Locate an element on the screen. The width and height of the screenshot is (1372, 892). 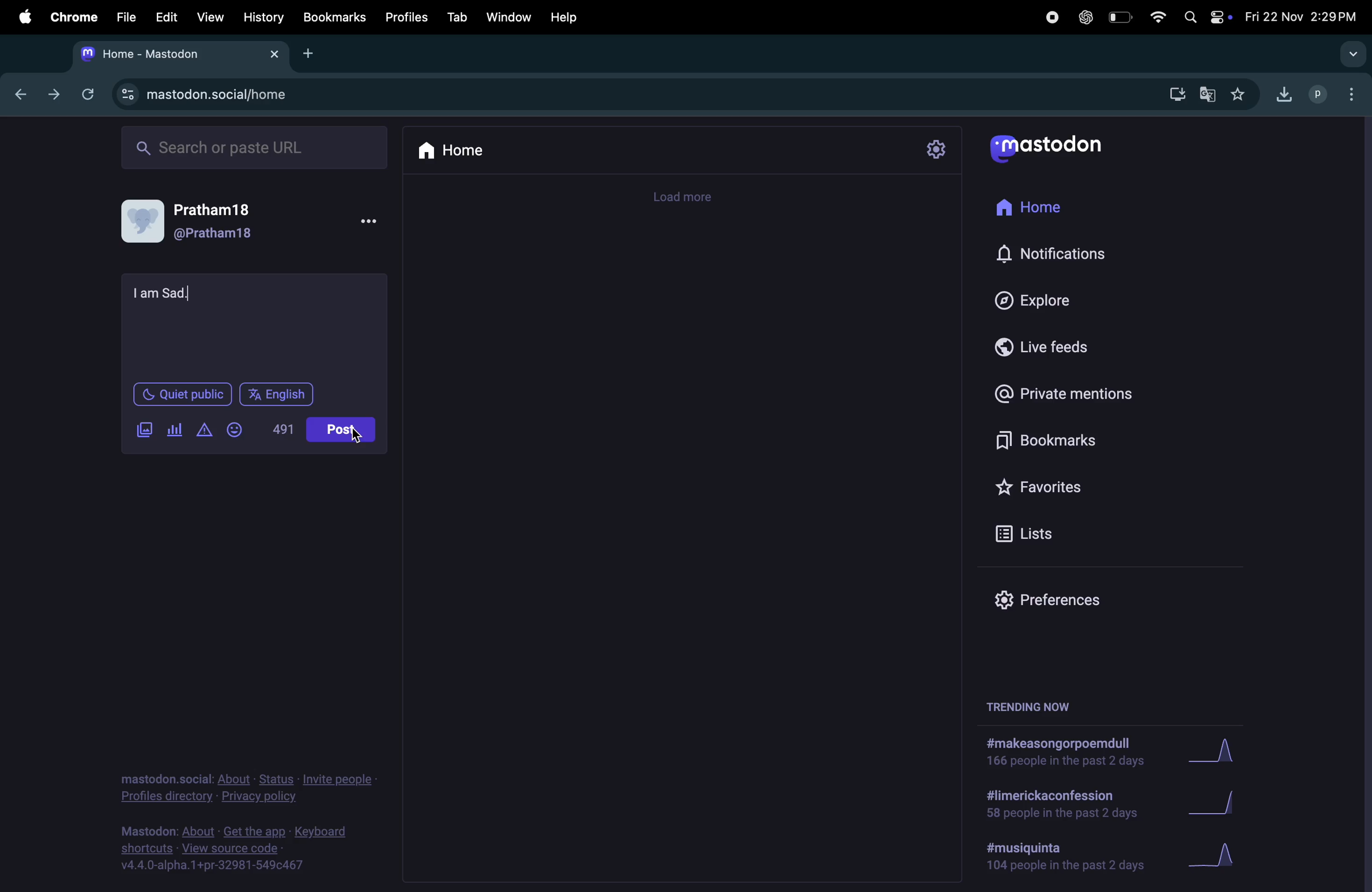
explore is located at coordinates (1080, 300).